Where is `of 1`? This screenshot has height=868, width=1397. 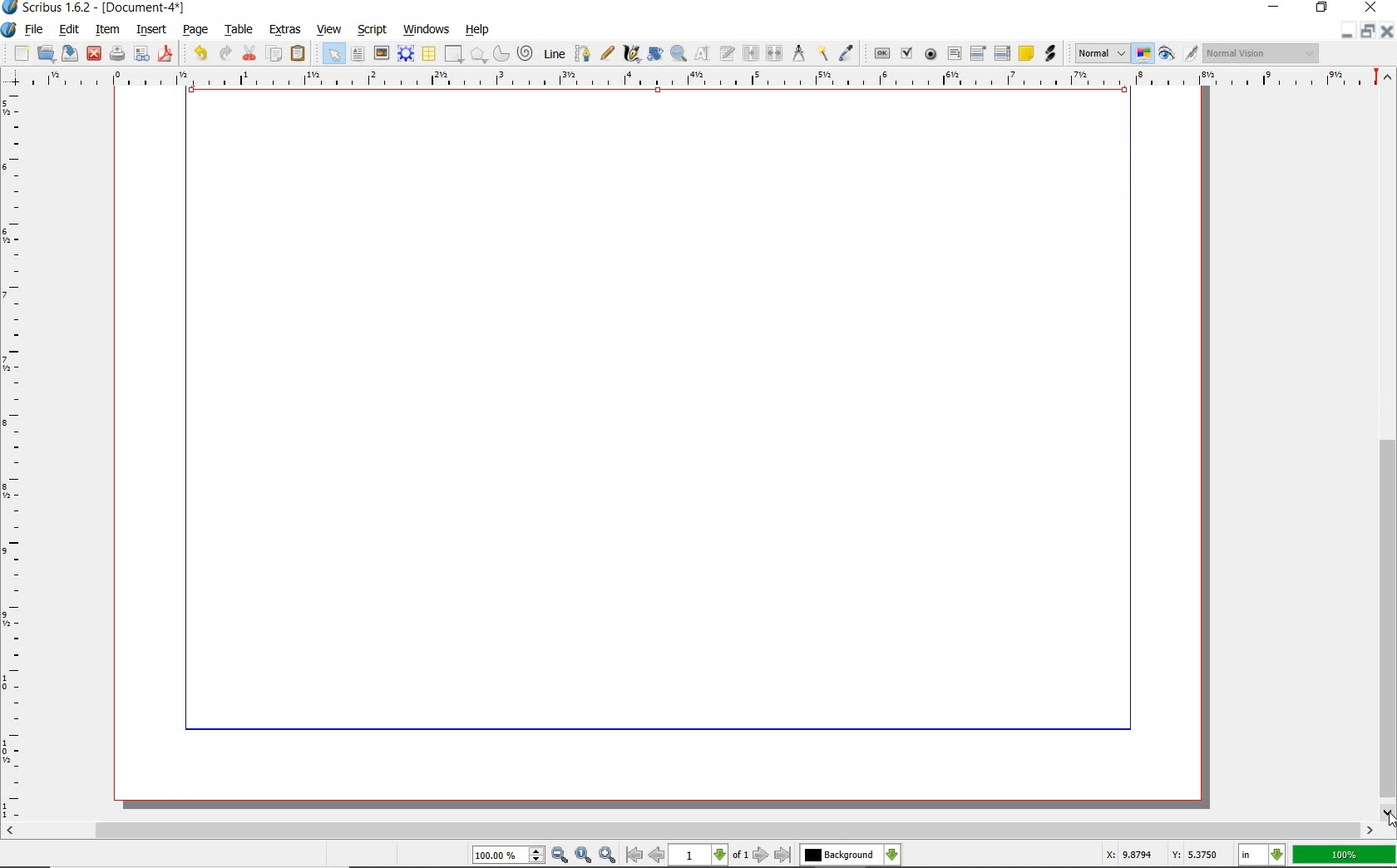
of 1 is located at coordinates (742, 856).